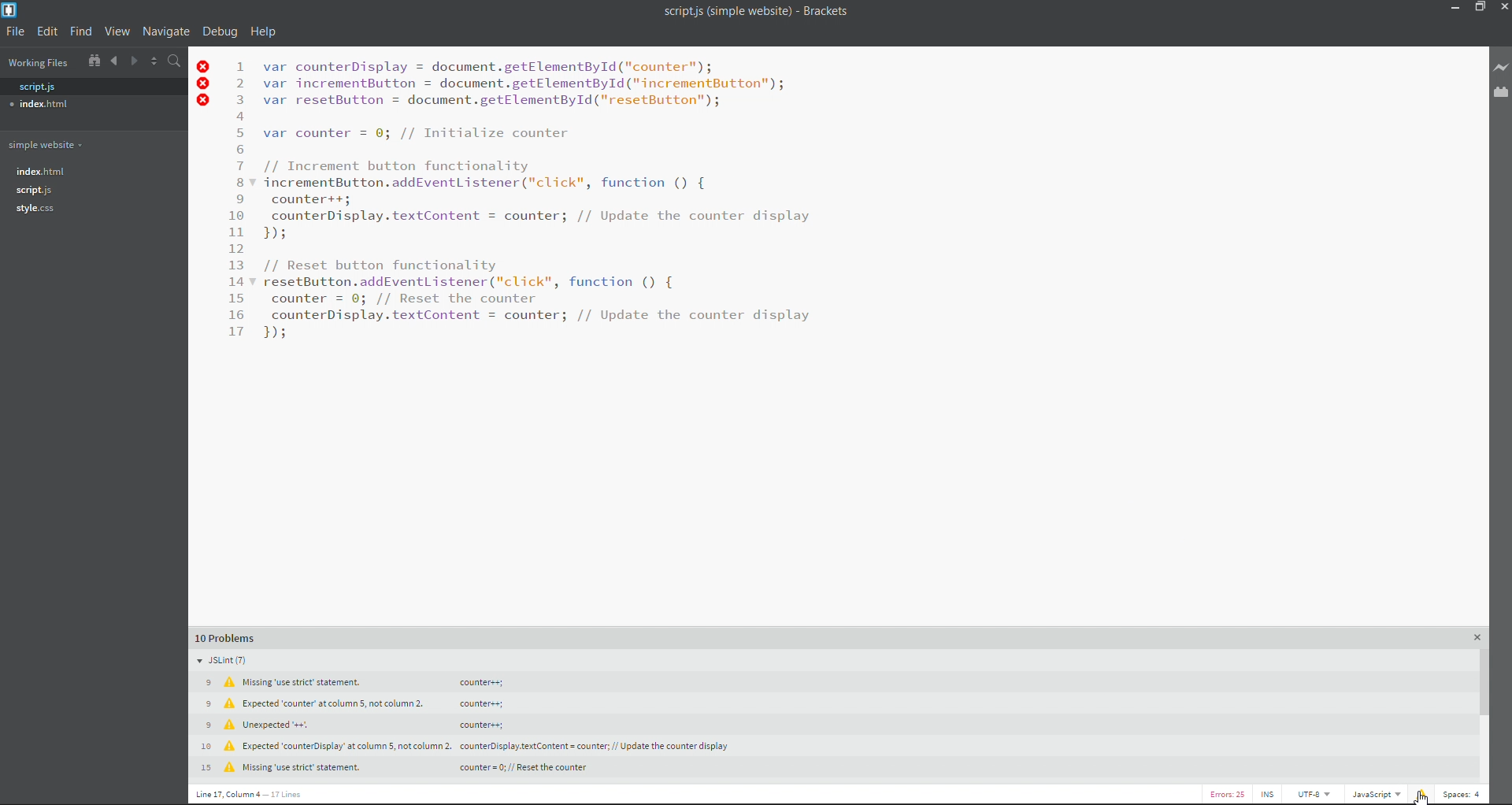  Describe the element at coordinates (12, 10) in the screenshot. I see `logo` at that location.